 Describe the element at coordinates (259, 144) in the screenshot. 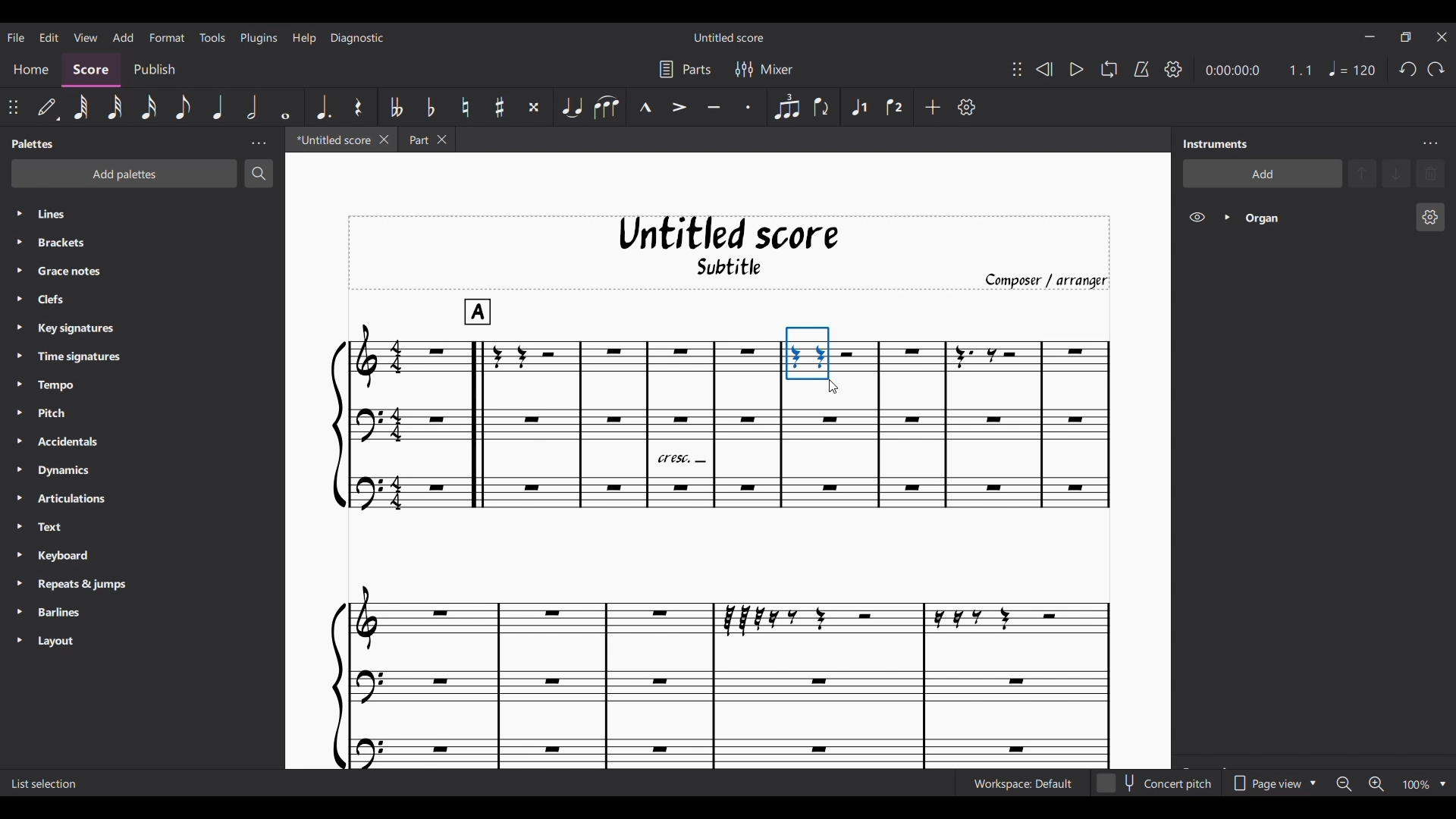

I see `Palette panel settings` at that location.